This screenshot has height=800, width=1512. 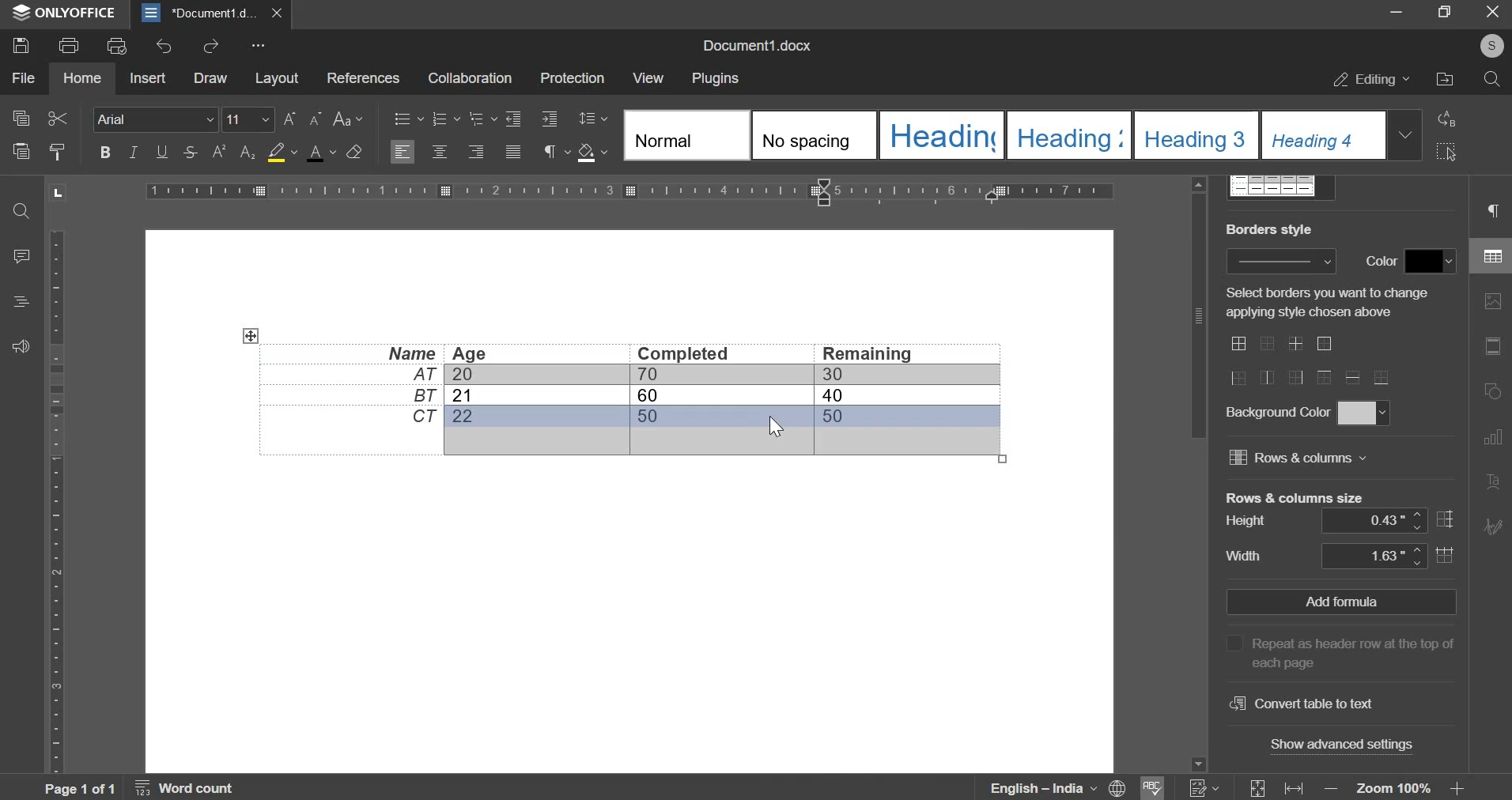 What do you see at coordinates (24, 211) in the screenshot?
I see `find` at bounding box center [24, 211].